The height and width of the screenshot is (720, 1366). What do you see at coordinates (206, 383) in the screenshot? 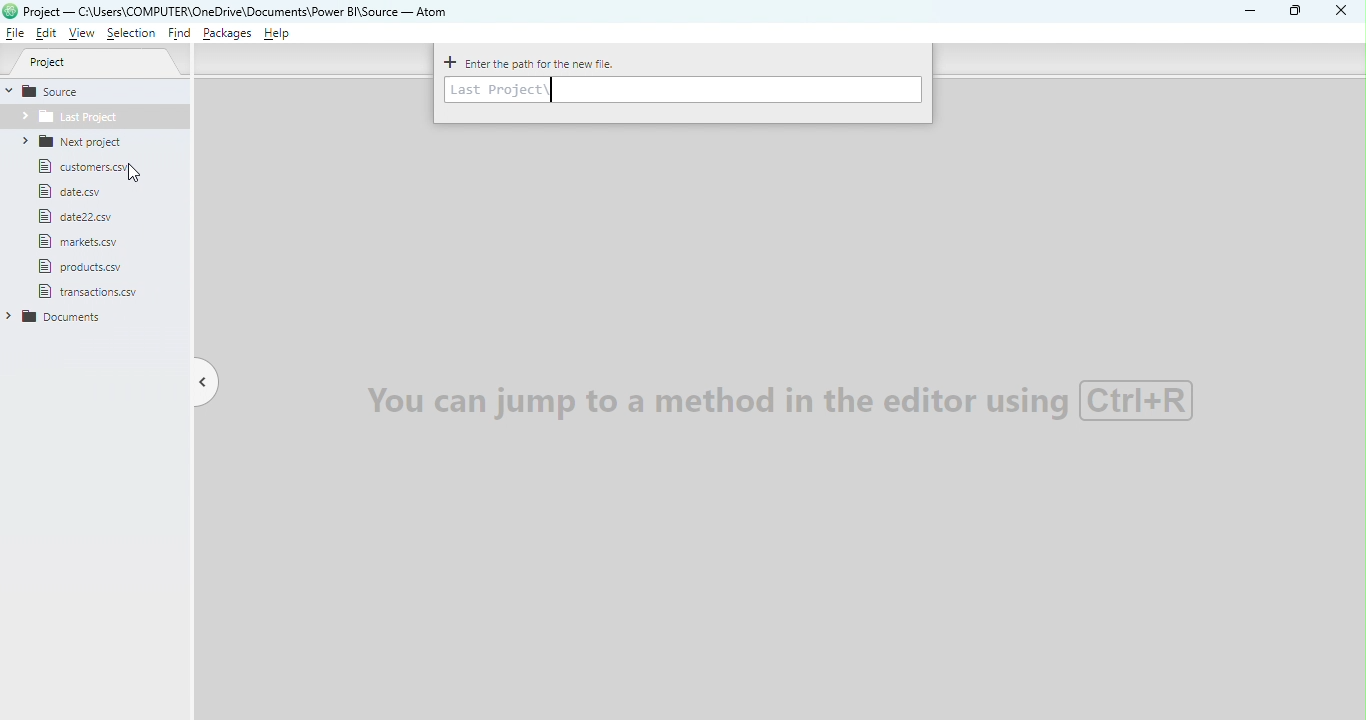
I see `Toggle tree view` at bounding box center [206, 383].